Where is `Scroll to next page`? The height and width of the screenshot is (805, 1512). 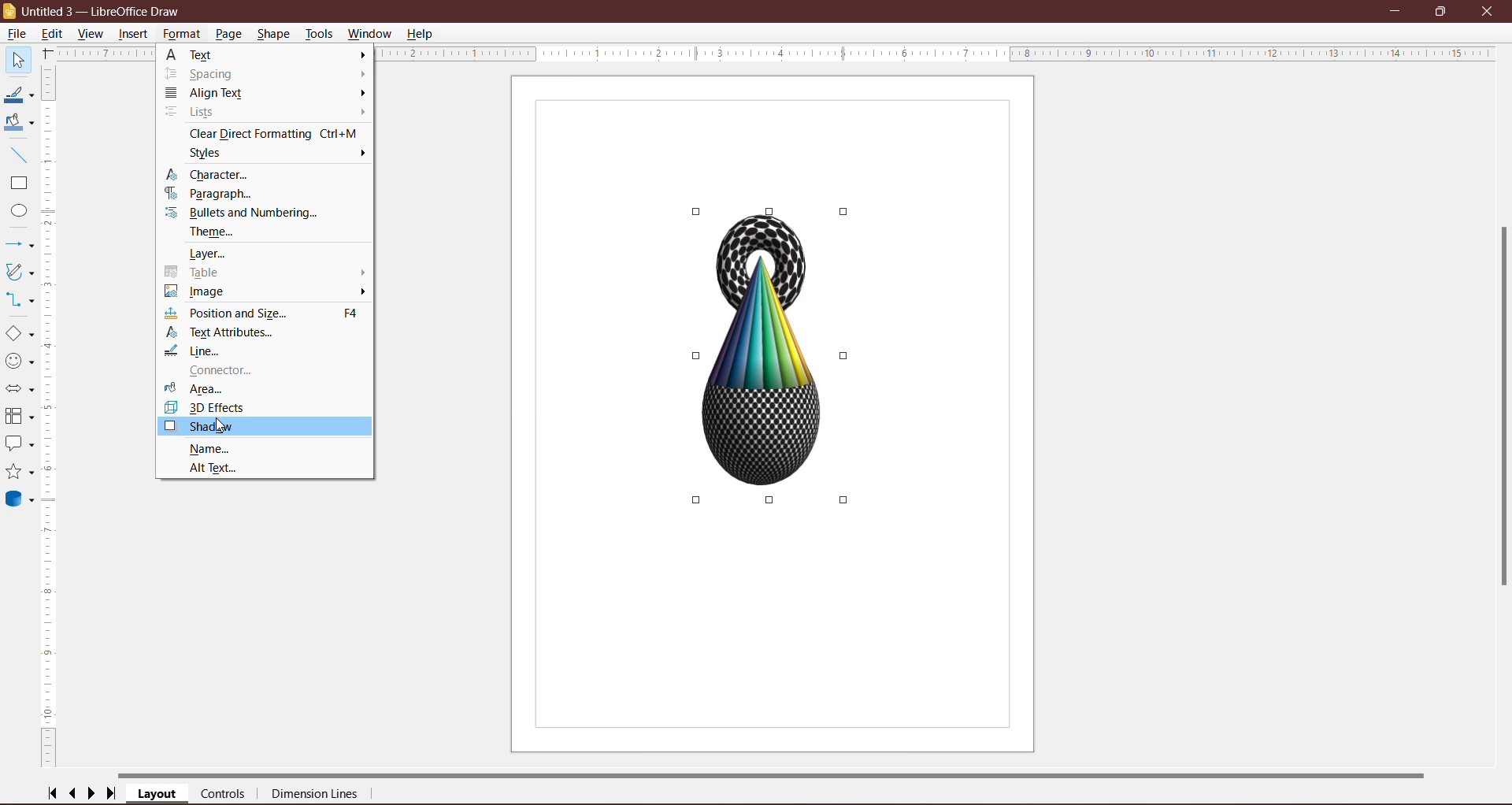 Scroll to next page is located at coordinates (91, 794).